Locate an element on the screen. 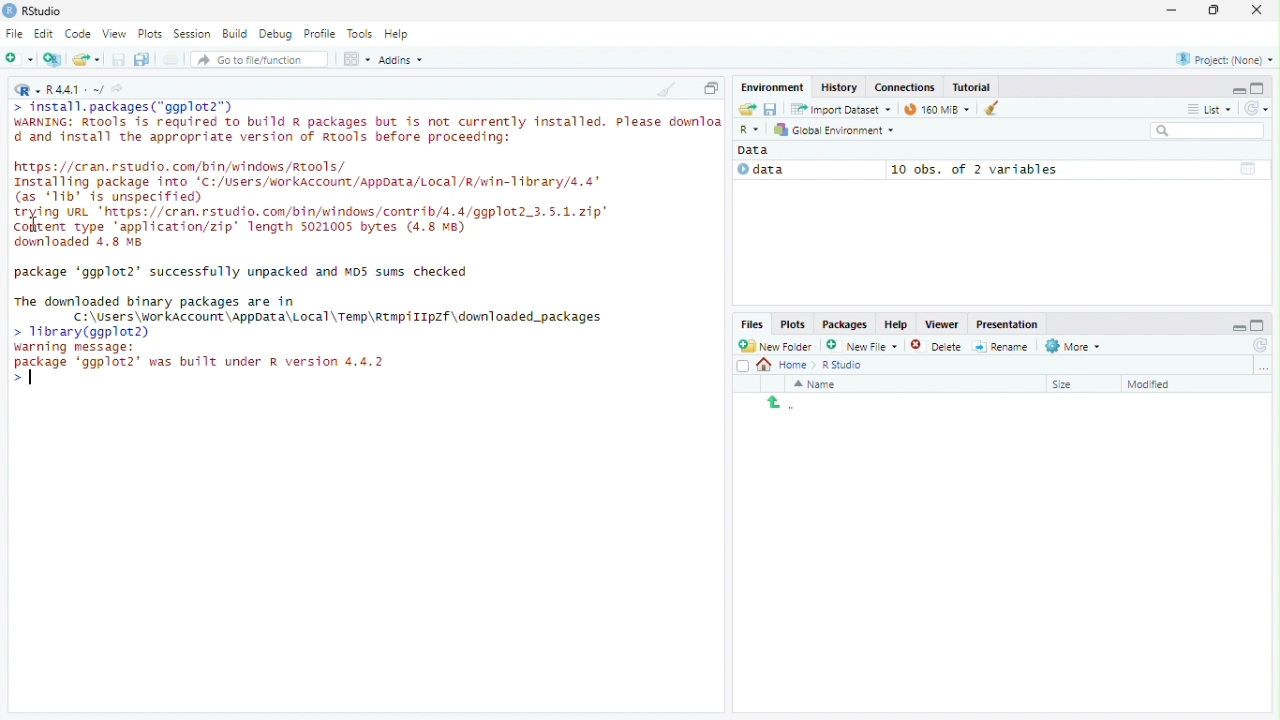 This screenshot has height=720, width=1280. minimize is located at coordinates (1173, 11).